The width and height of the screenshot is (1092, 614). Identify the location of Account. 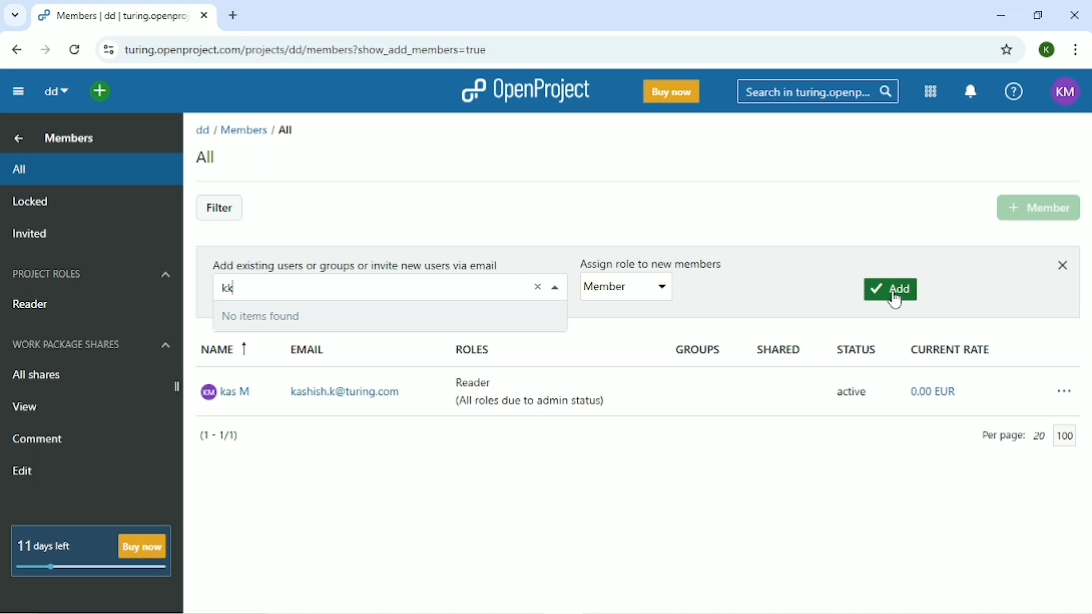
(1046, 50).